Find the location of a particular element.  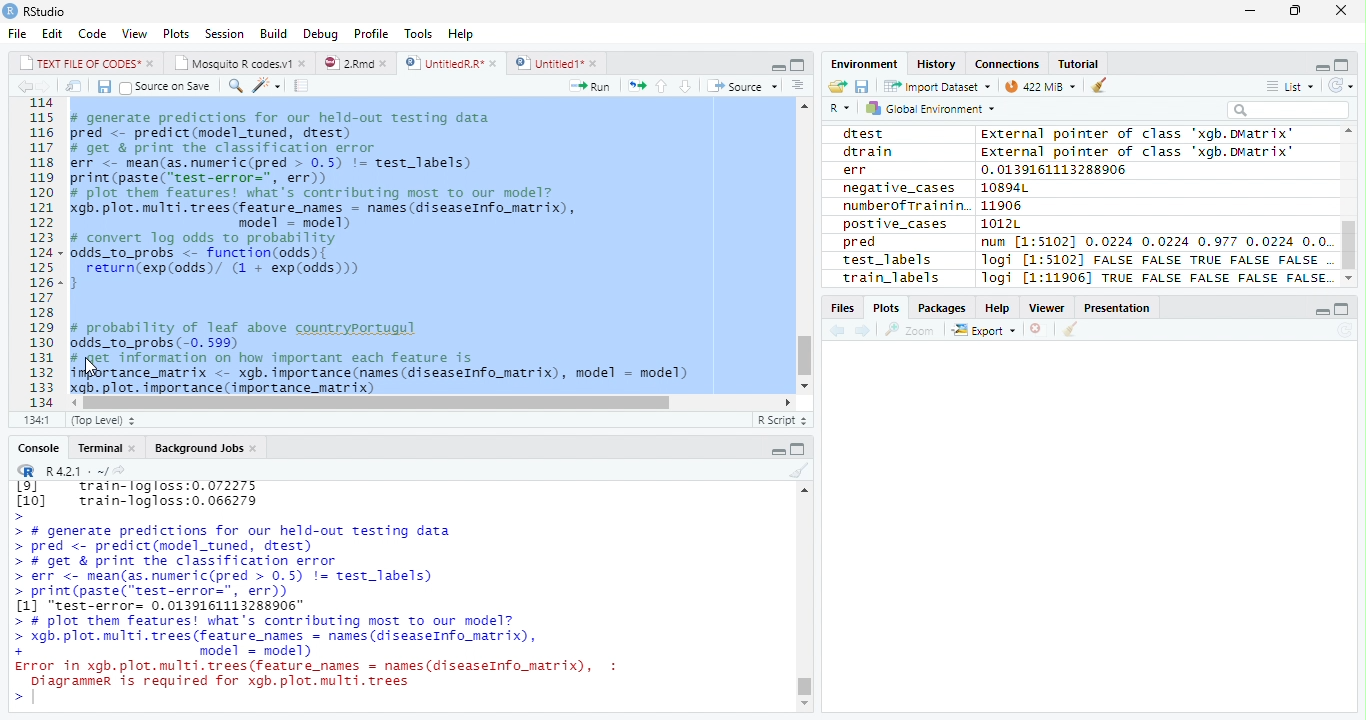

Clean is located at coordinates (795, 471).